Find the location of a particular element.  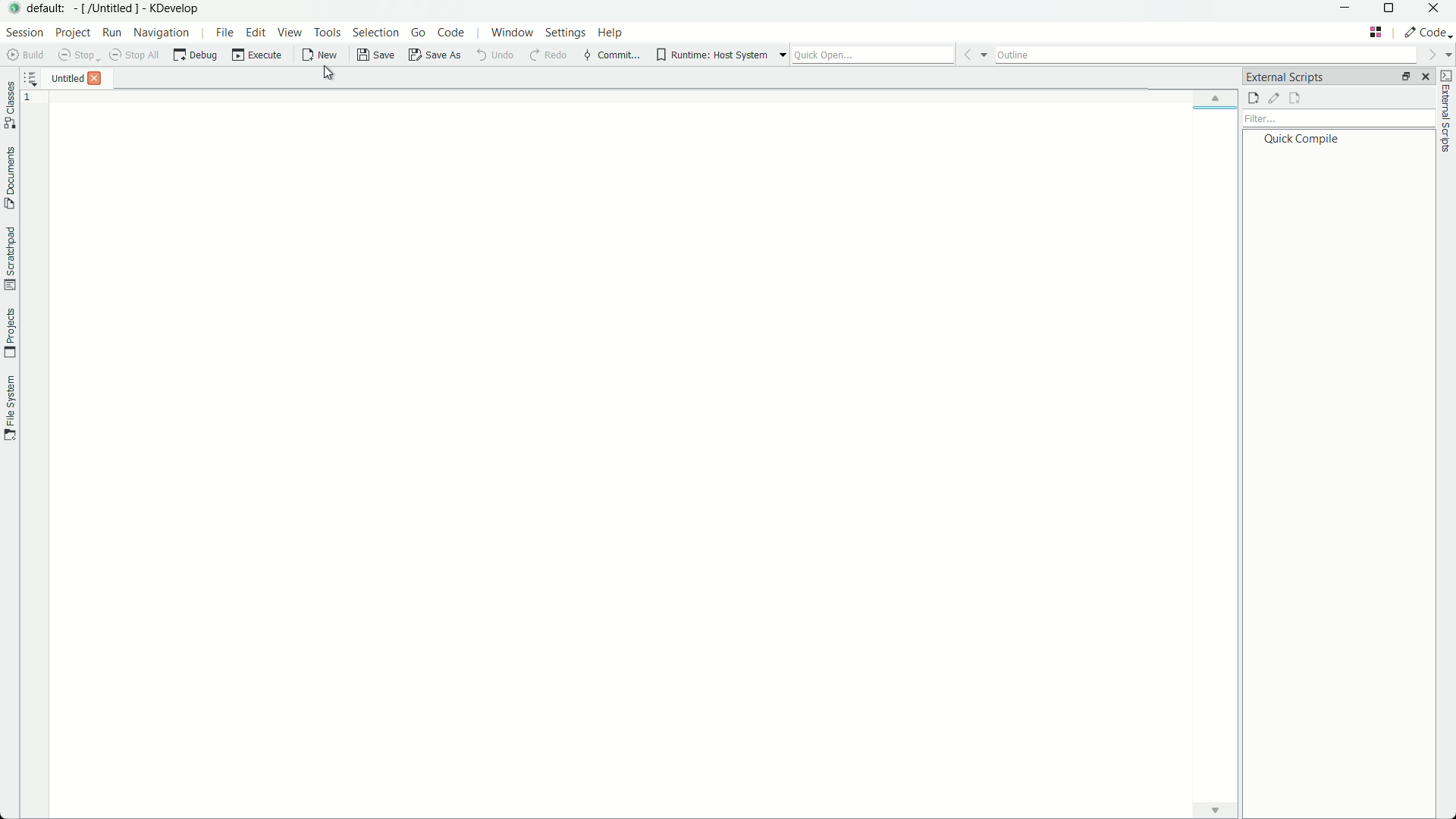

run menu is located at coordinates (109, 31).